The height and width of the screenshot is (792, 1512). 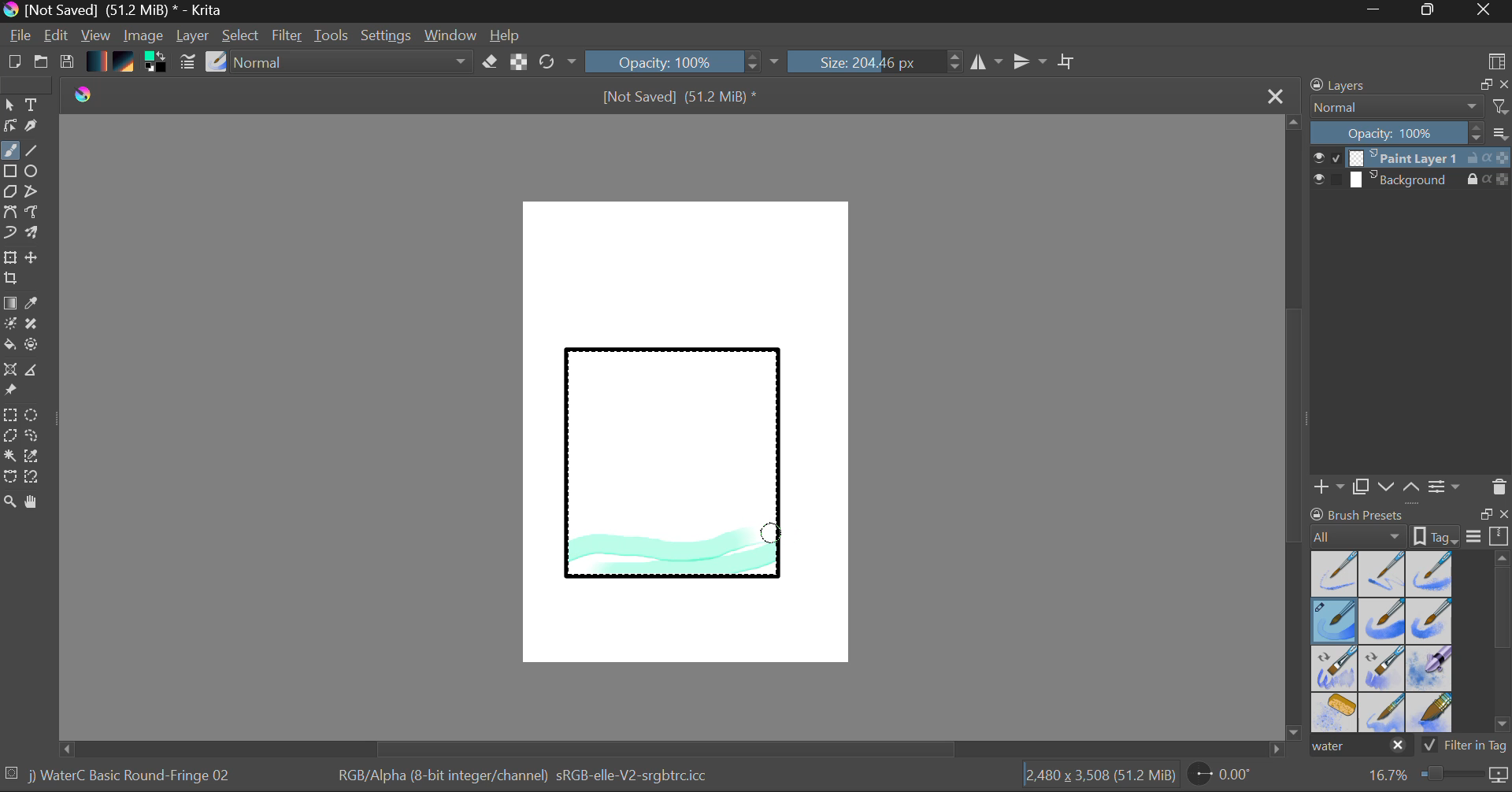 What do you see at coordinates (684, 61) in the screenshot?
I see `Opacity` at bounding box center [684, 61].